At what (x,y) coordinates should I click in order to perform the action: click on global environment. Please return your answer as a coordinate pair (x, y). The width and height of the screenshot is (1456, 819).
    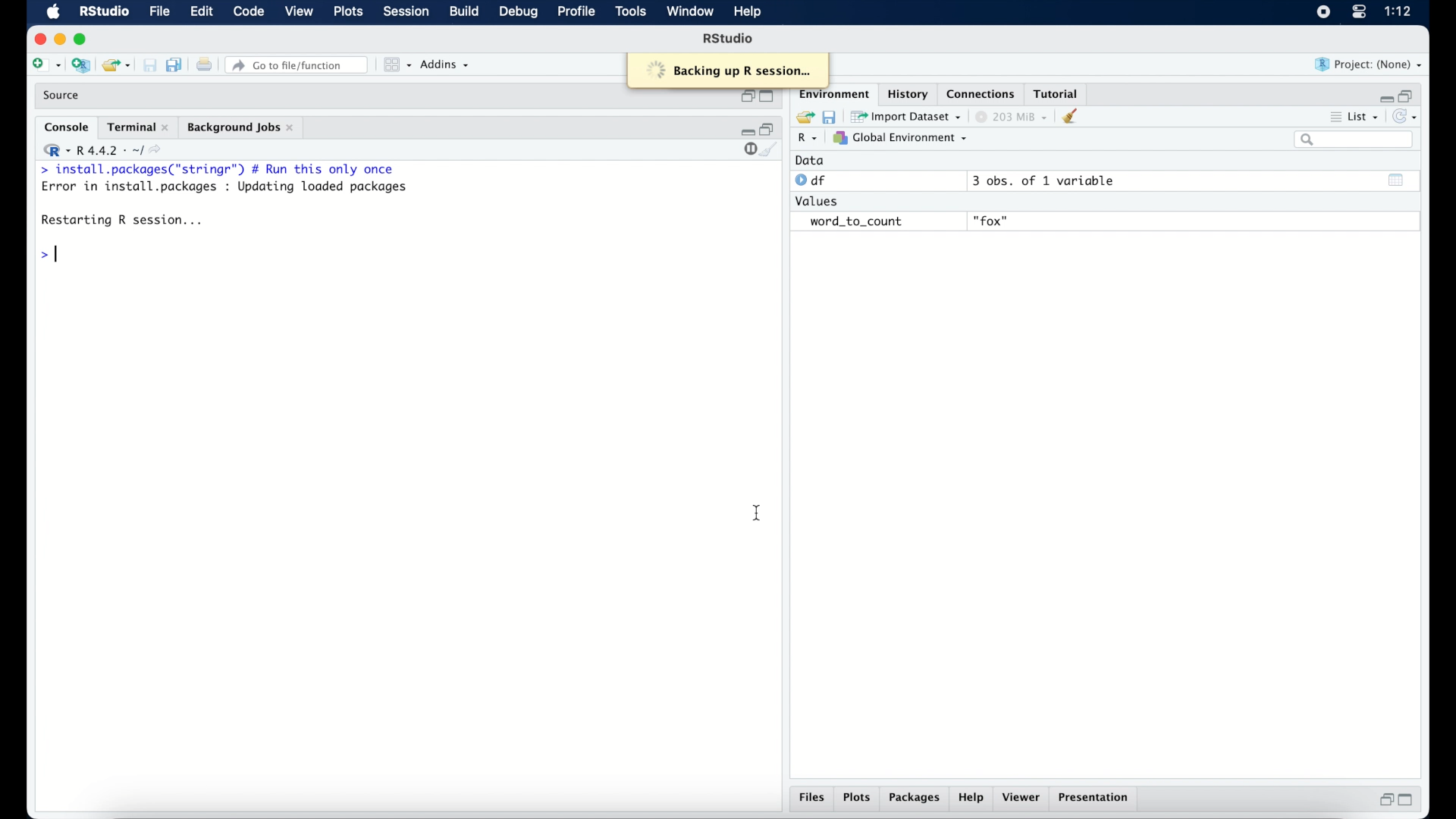
    Looking at the image, I should click on (900, 137).